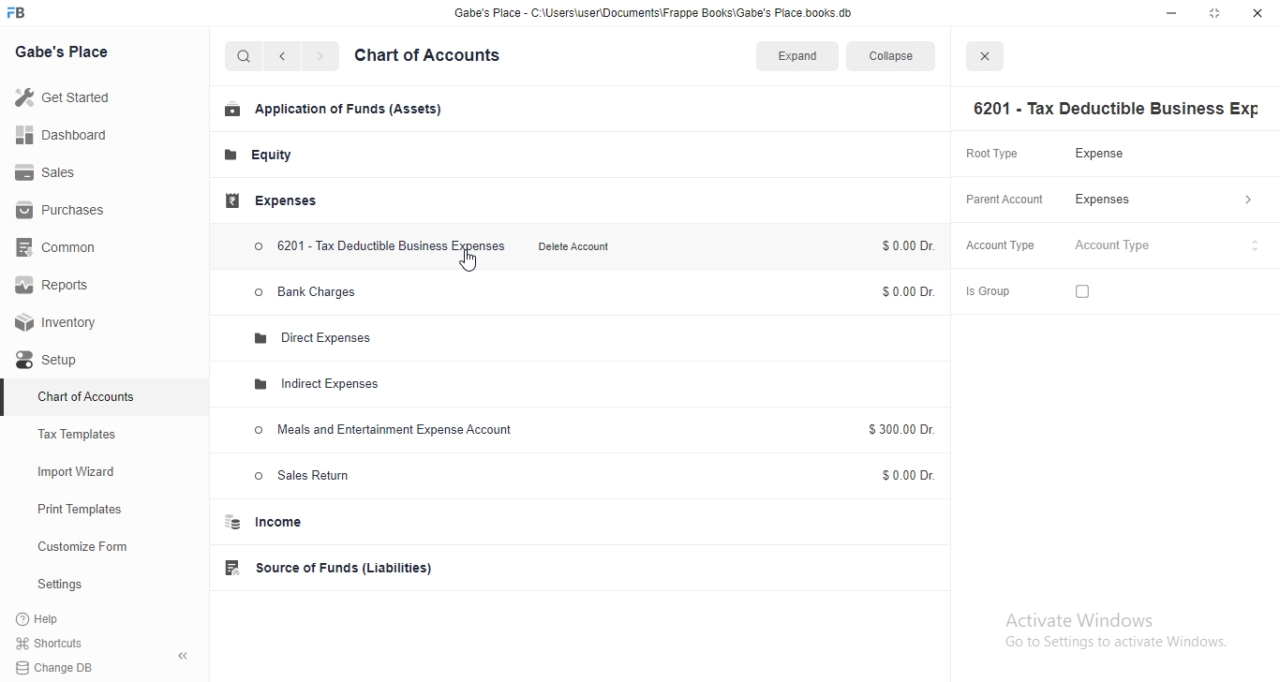 The height and width of the screenshot is (682, 1280). I want to click on $0.00 Dr., so click(902, 474).